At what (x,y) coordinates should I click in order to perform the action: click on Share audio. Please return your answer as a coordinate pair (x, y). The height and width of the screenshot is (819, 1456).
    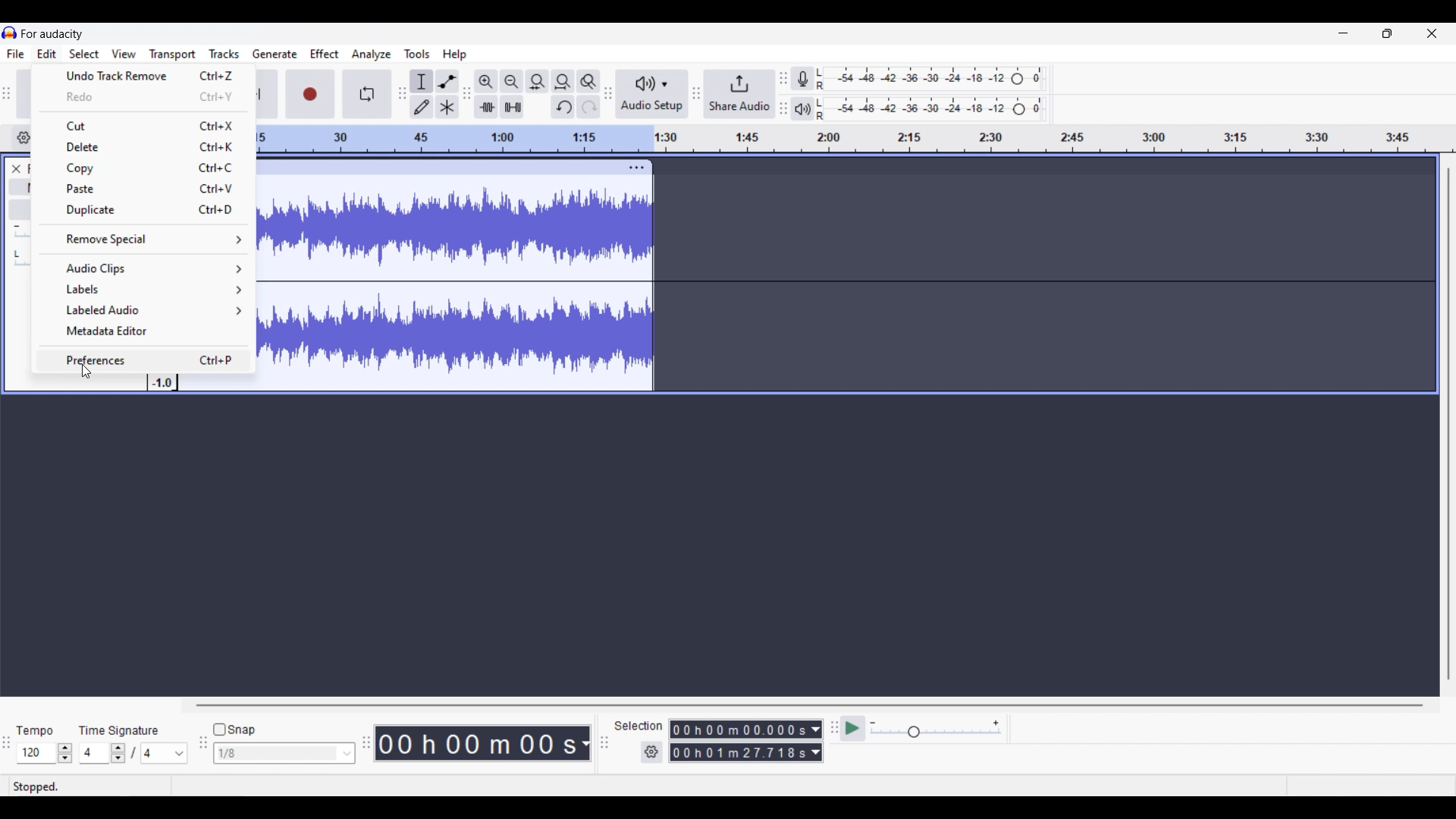
    Looking at the image, I should click on (740, 94).